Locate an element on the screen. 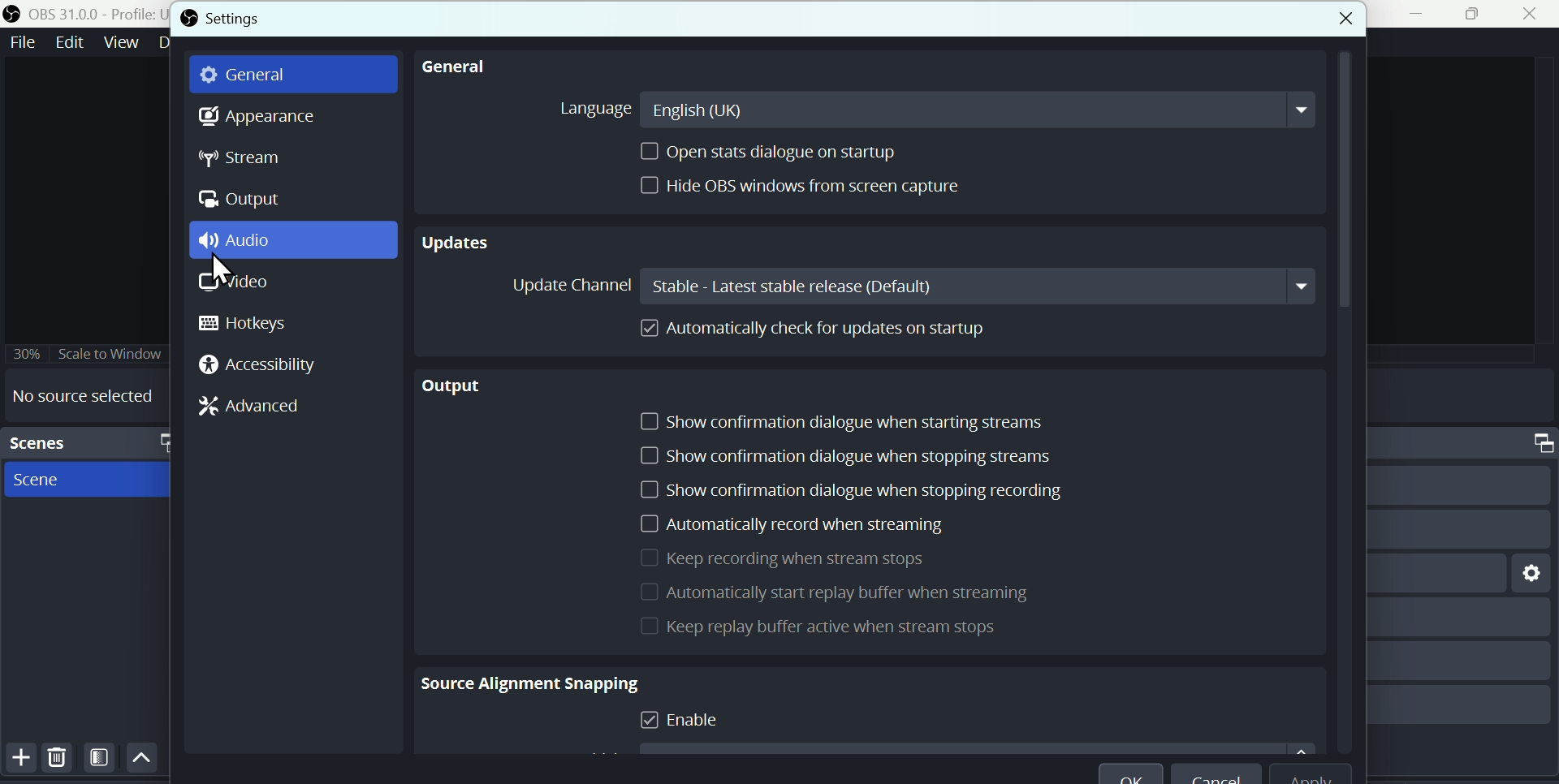  Close is located at coordinates (1530, 15).